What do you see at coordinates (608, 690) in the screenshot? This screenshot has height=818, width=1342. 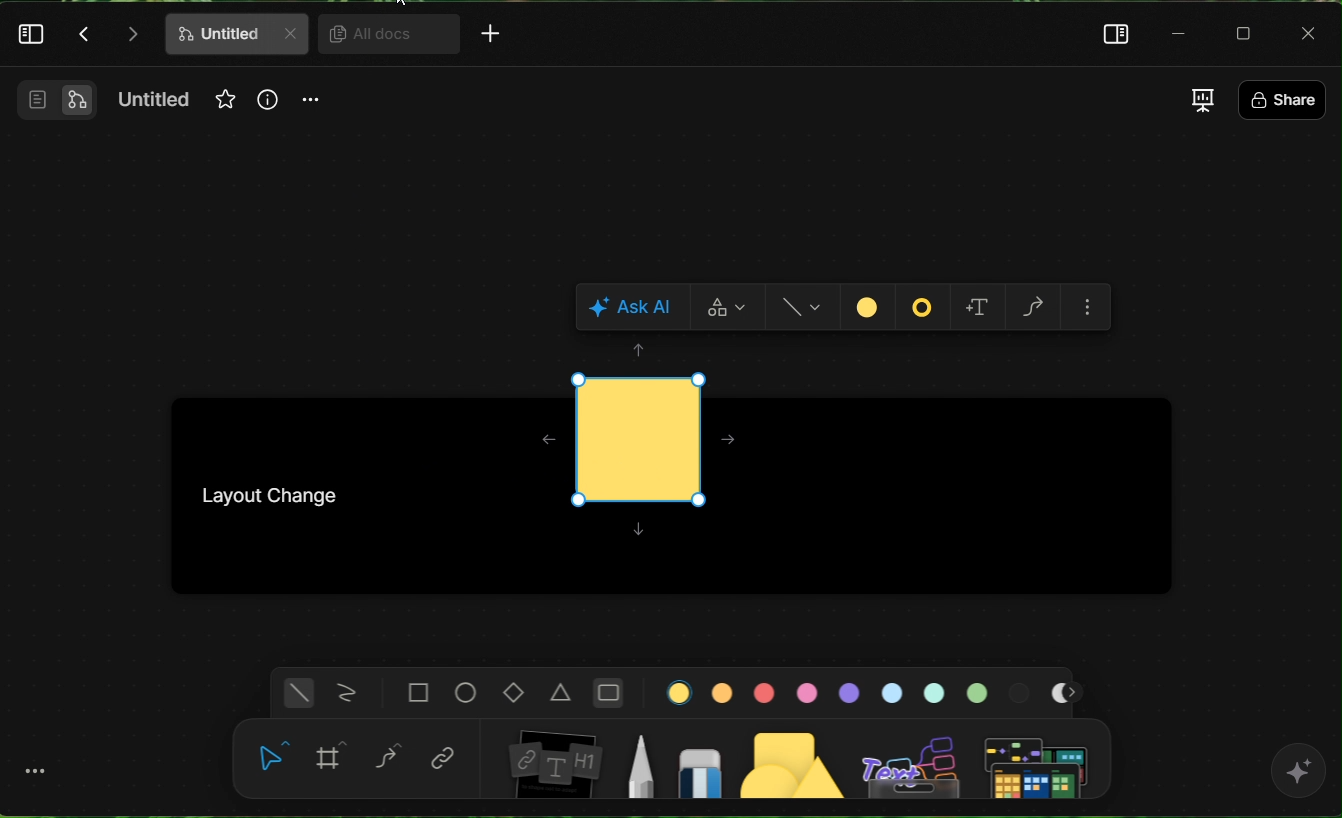 I see `rounded rectangle` at bounding box center [608, 690].